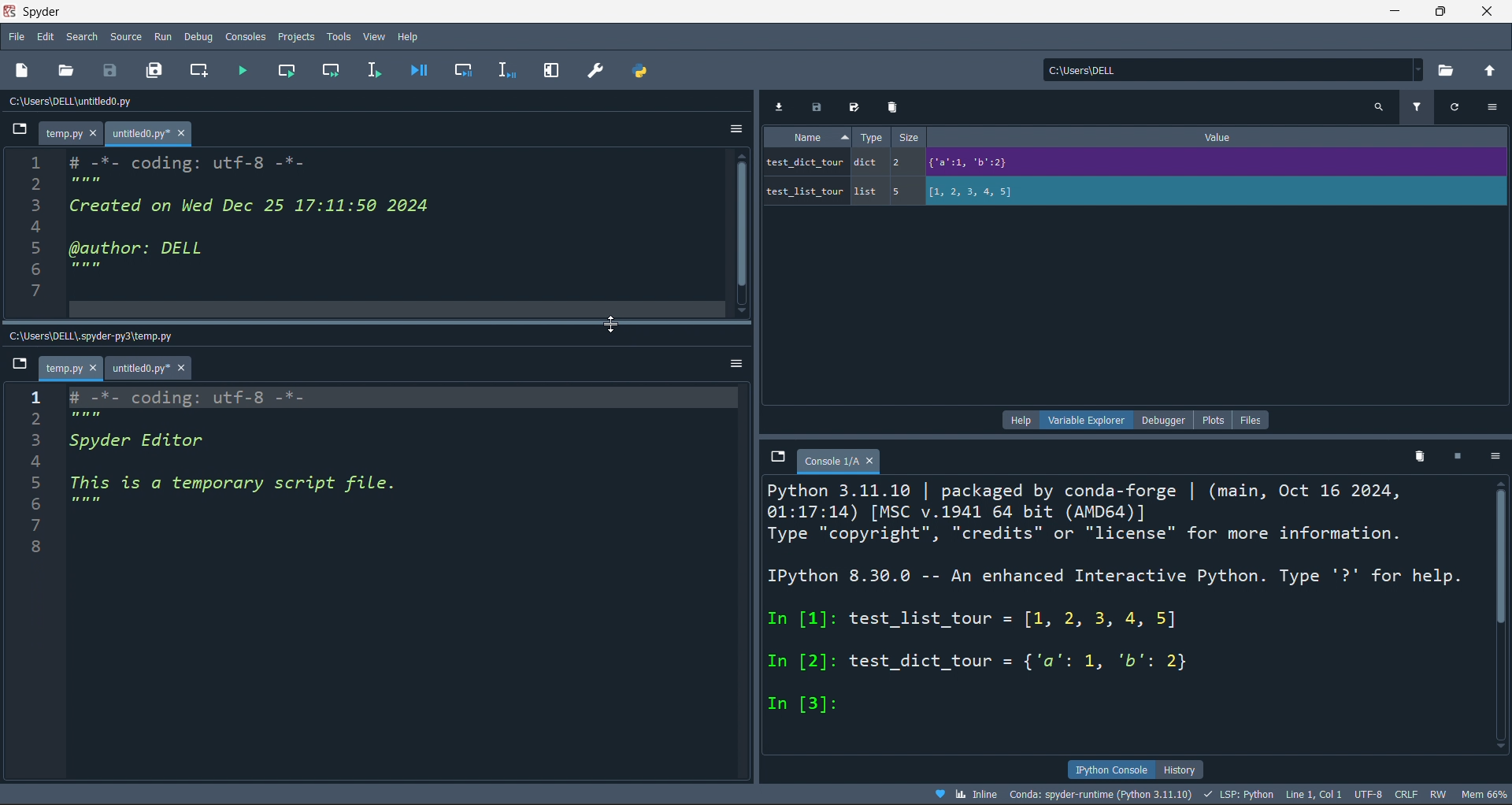  What do you see at coordinates (94, 103) in the screenshot?
I see `C:\User|DELL\utitled0.py` at bounding box center [94, 103].